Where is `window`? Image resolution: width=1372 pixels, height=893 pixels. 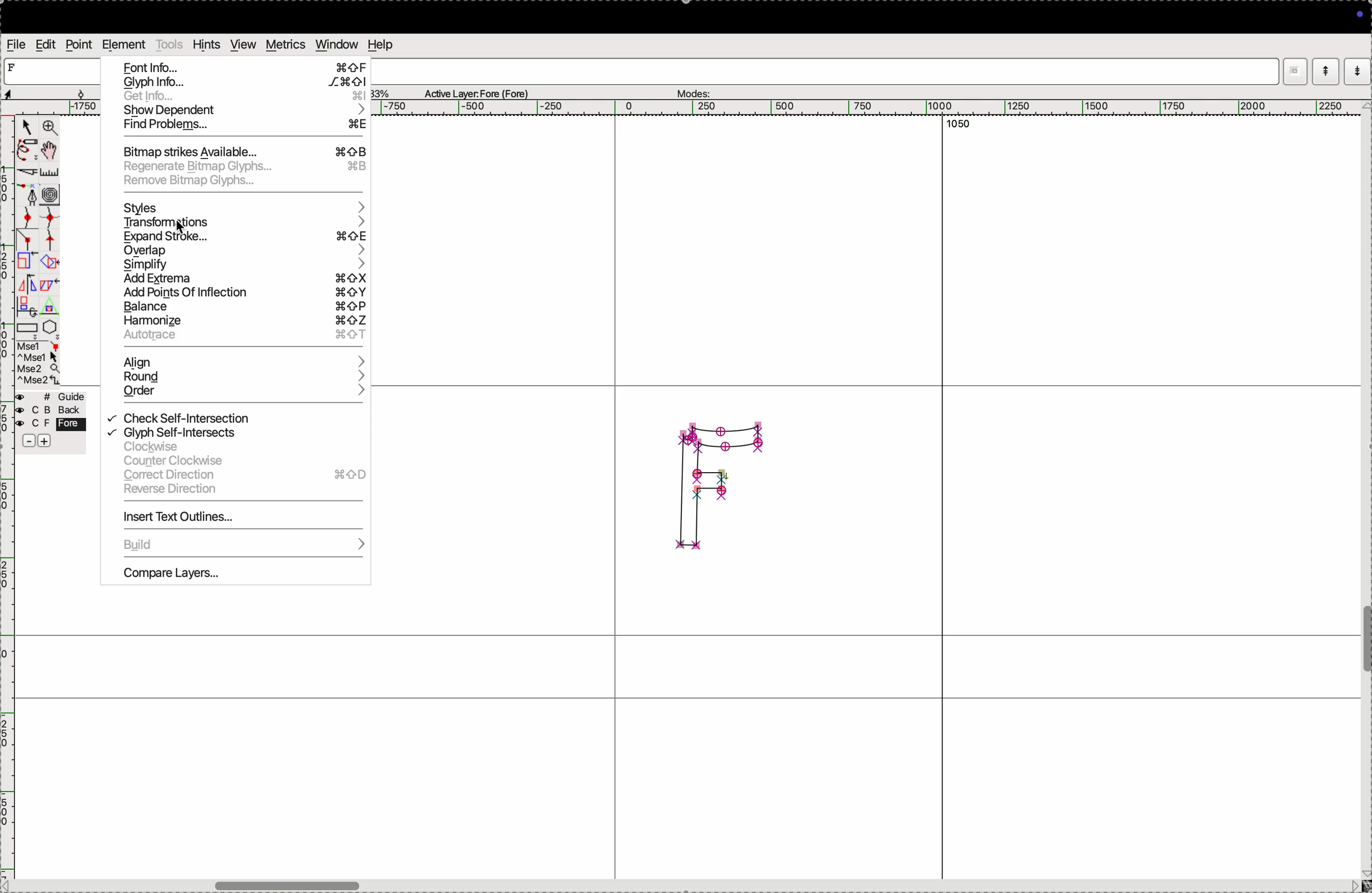 window is located at coordinates (337, 44).